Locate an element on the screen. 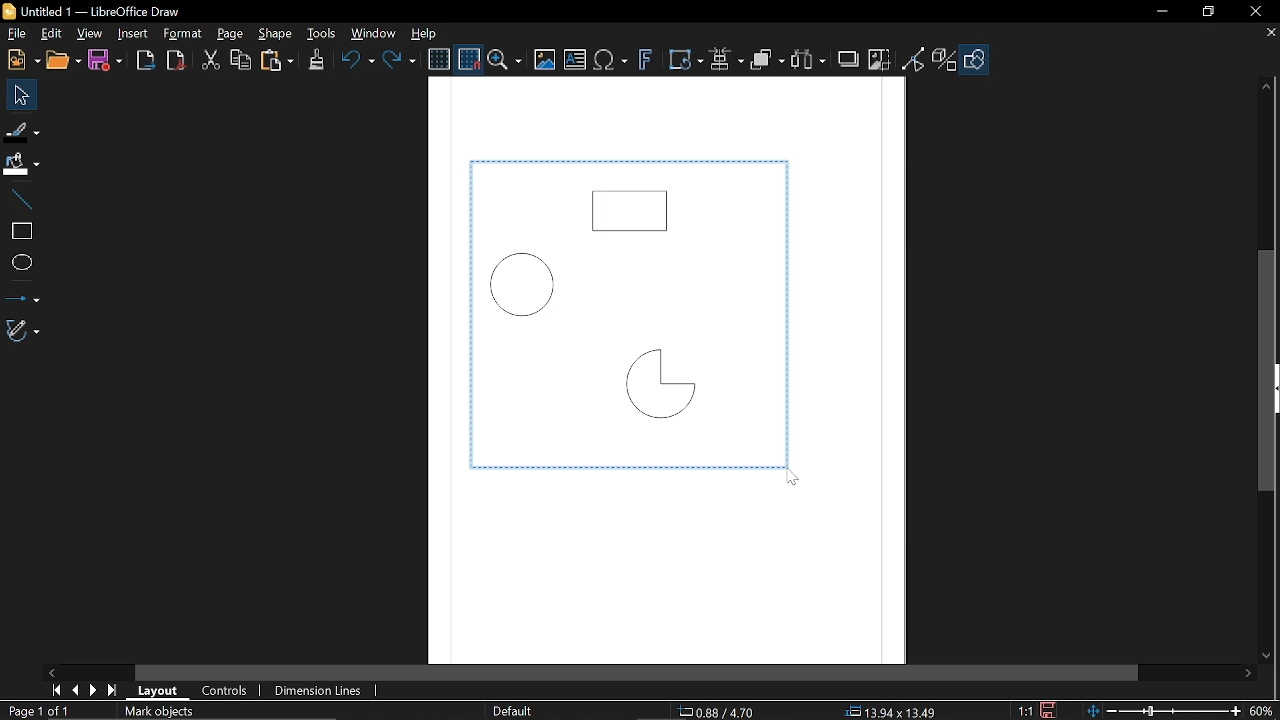 The image size is (1280, 720). Shadow is located at coordinates (849, 59).